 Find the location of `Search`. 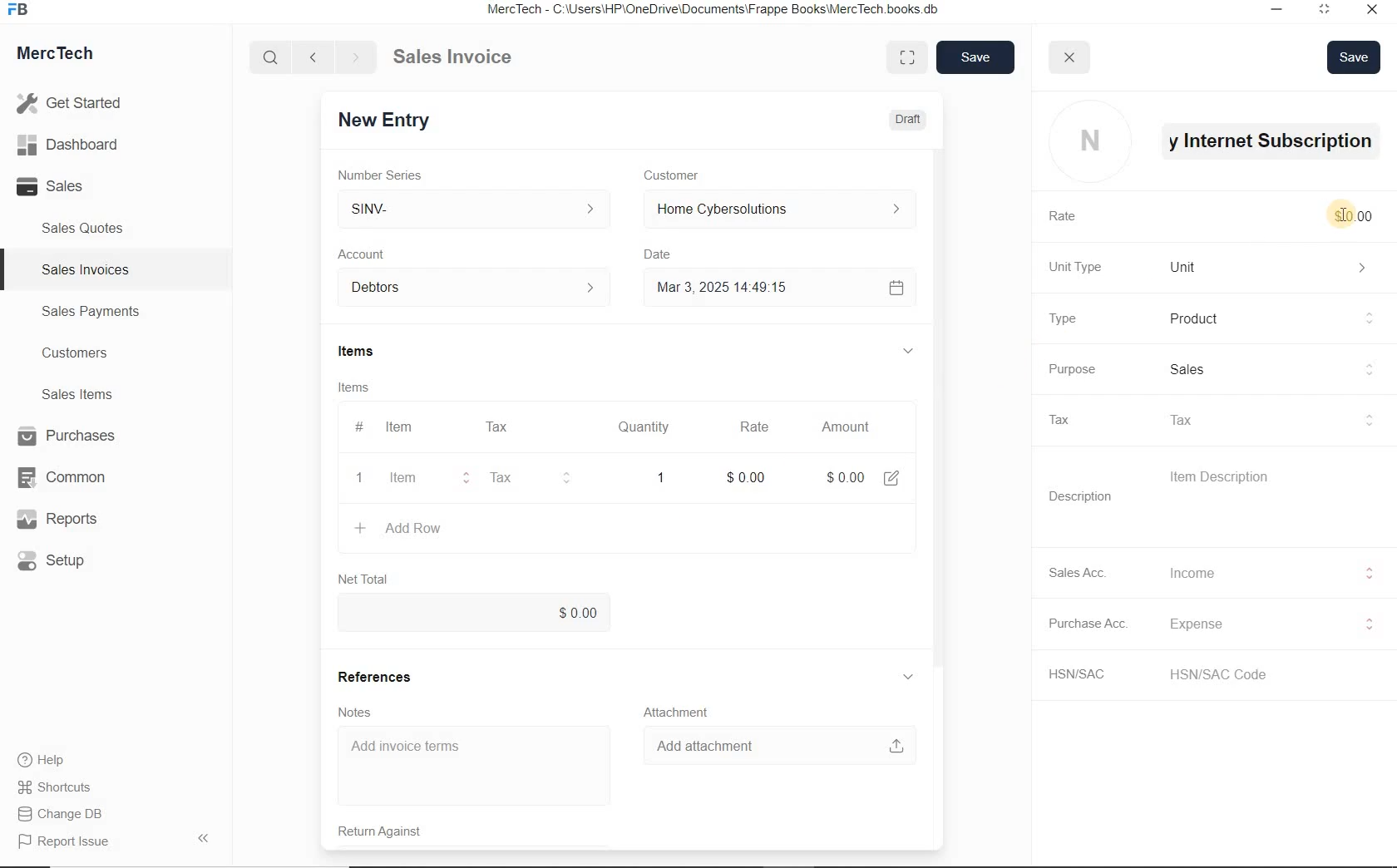

Search is located at coordinates (272, 57).